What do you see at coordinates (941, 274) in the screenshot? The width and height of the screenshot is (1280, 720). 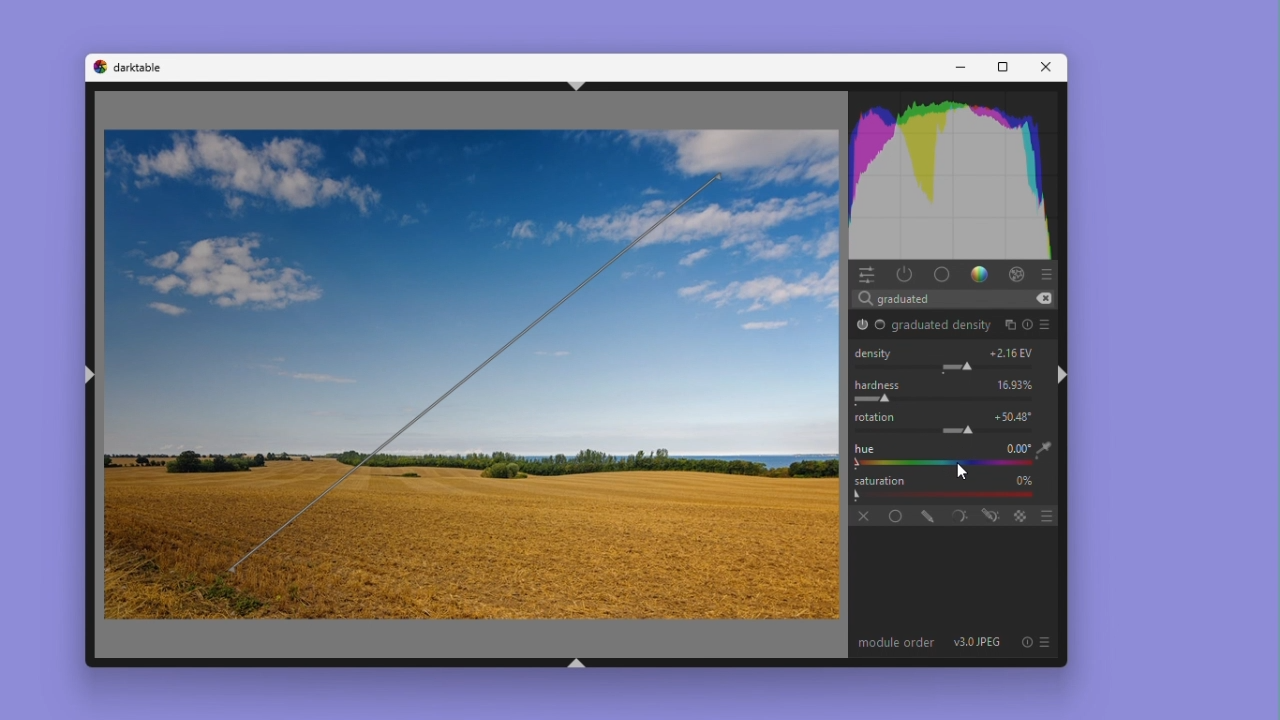 I see `base` at bounding box center [941, 274].